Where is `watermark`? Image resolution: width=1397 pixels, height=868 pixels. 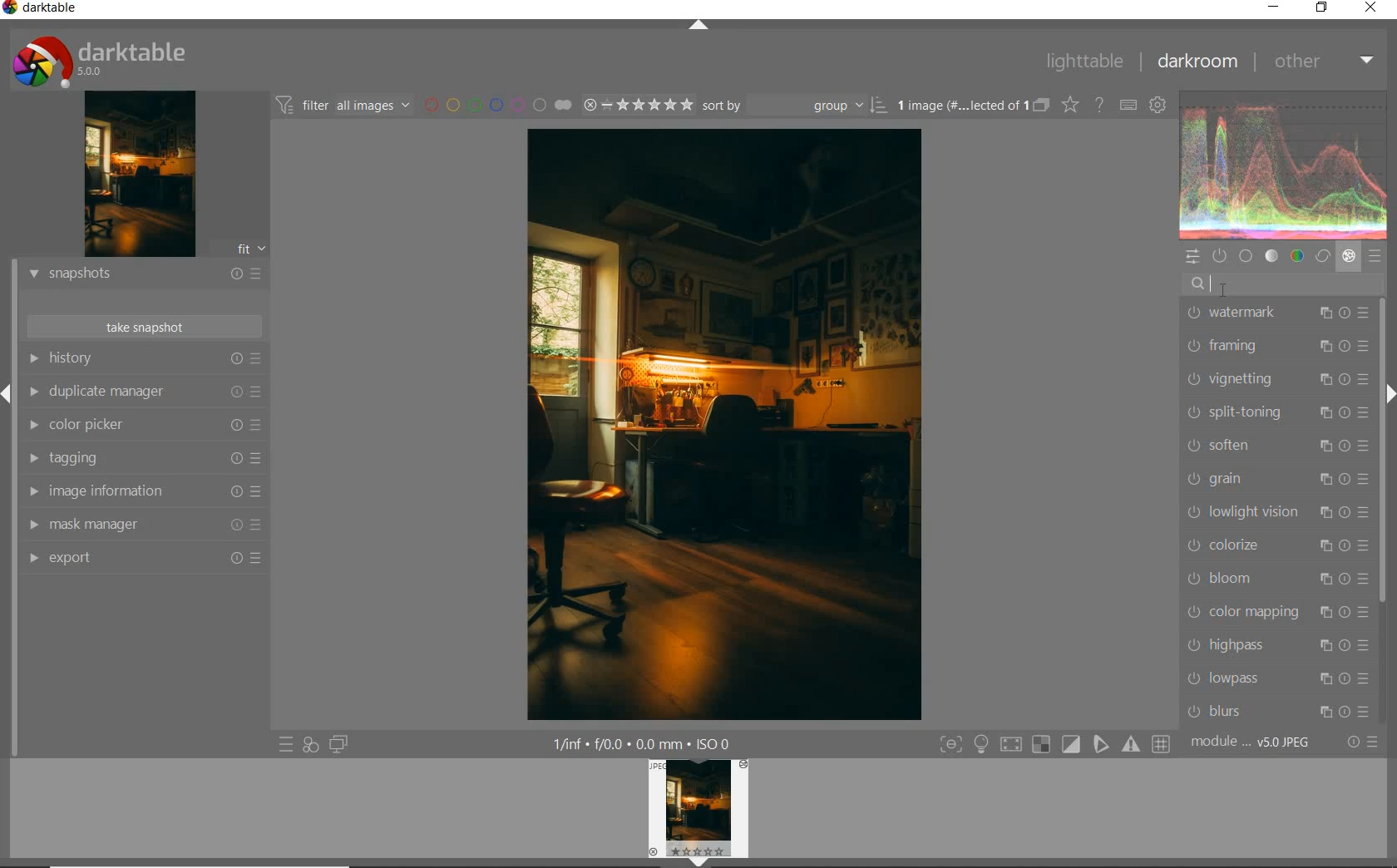
watermark is located at coordinates (1276, 313).